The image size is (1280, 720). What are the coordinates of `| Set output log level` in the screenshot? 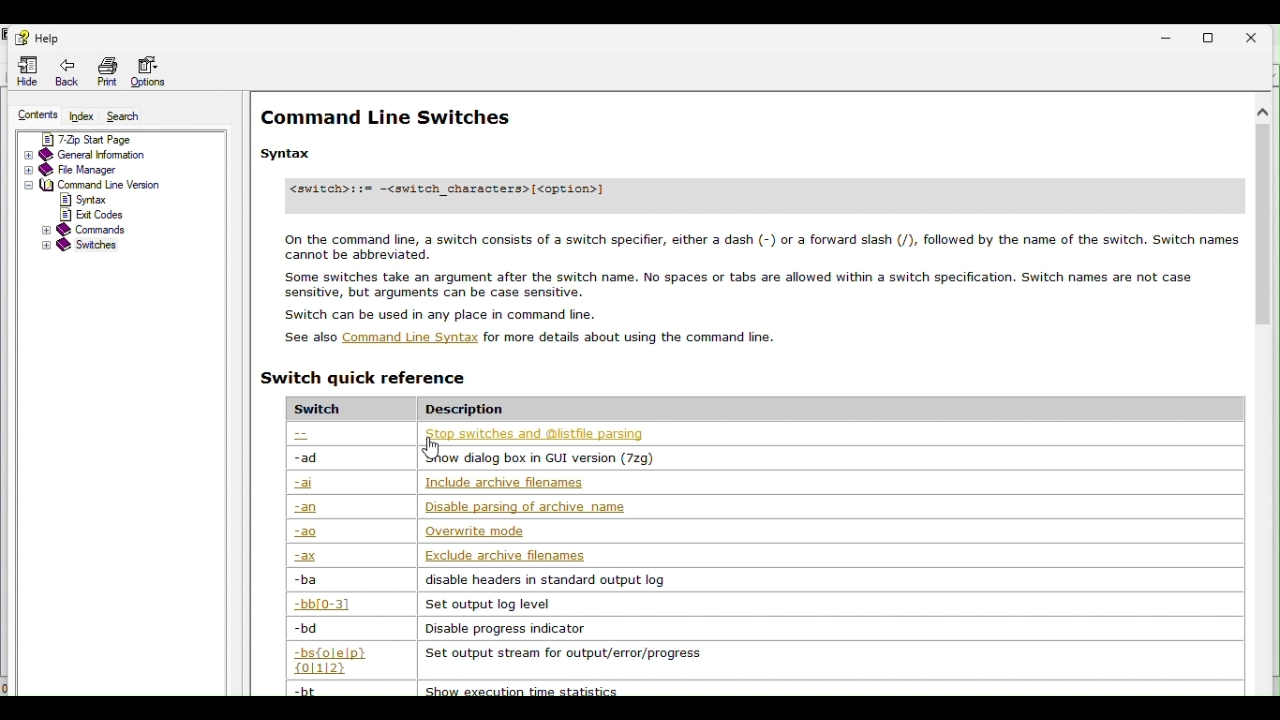 It's located at (488, 603).